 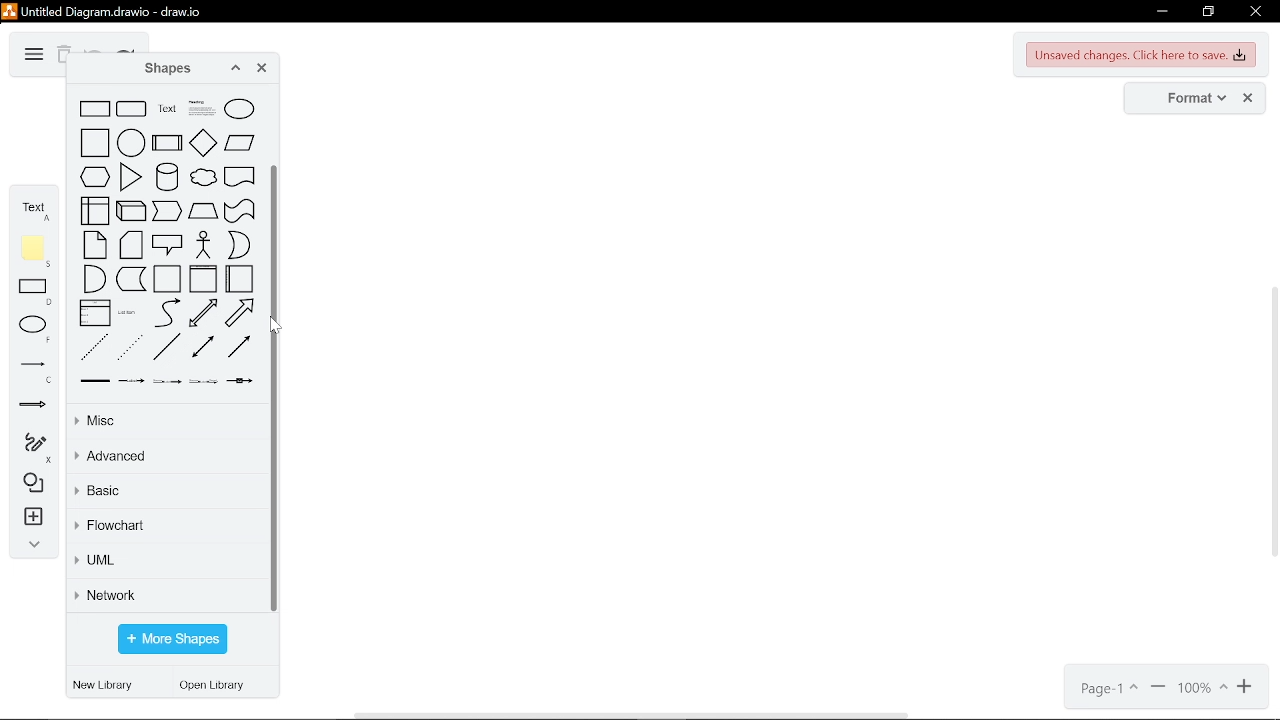 I want to click on freehand, so click(x=30, y=448).